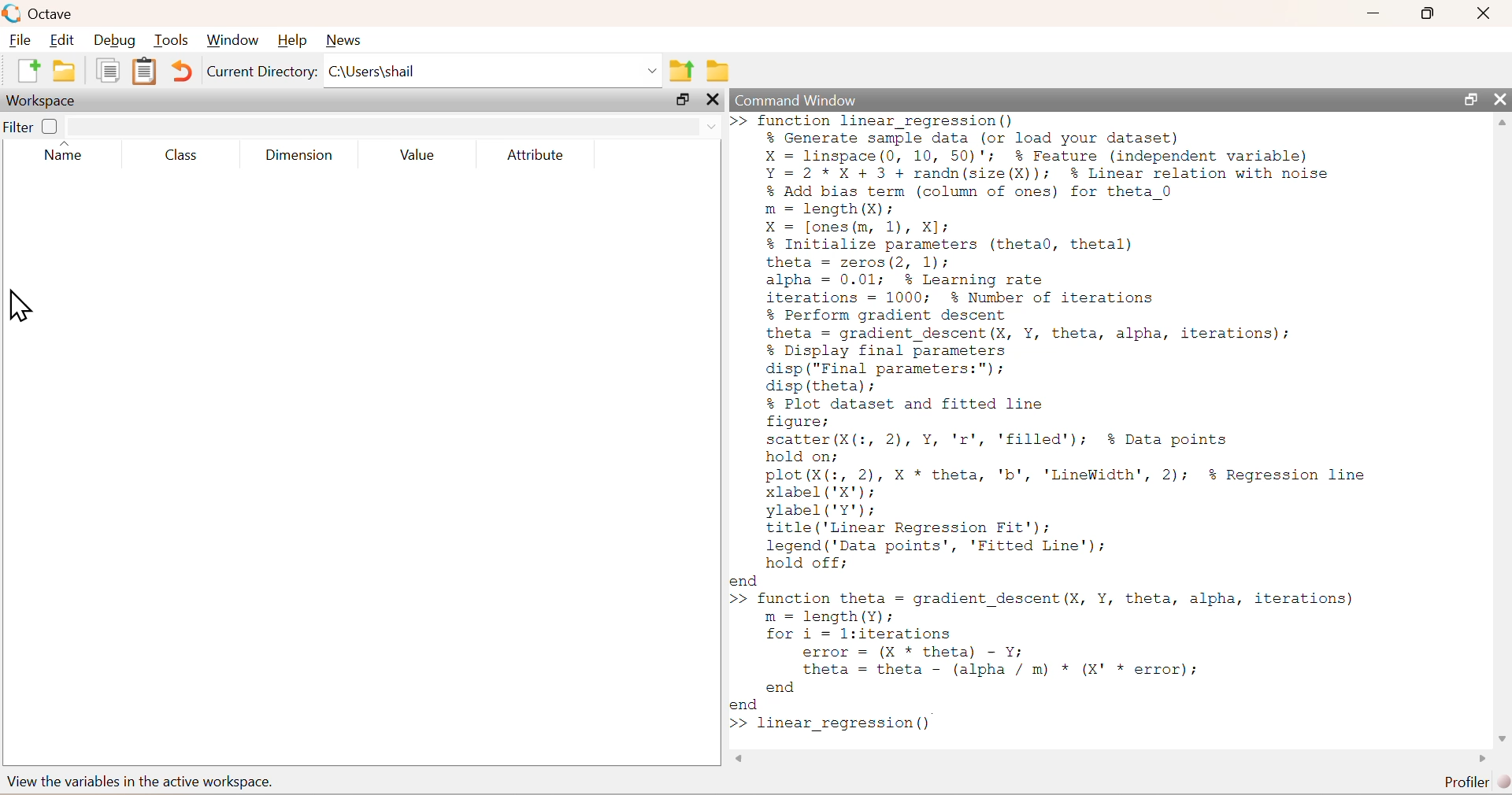  I want to click on scroll right, so click(739, 758).